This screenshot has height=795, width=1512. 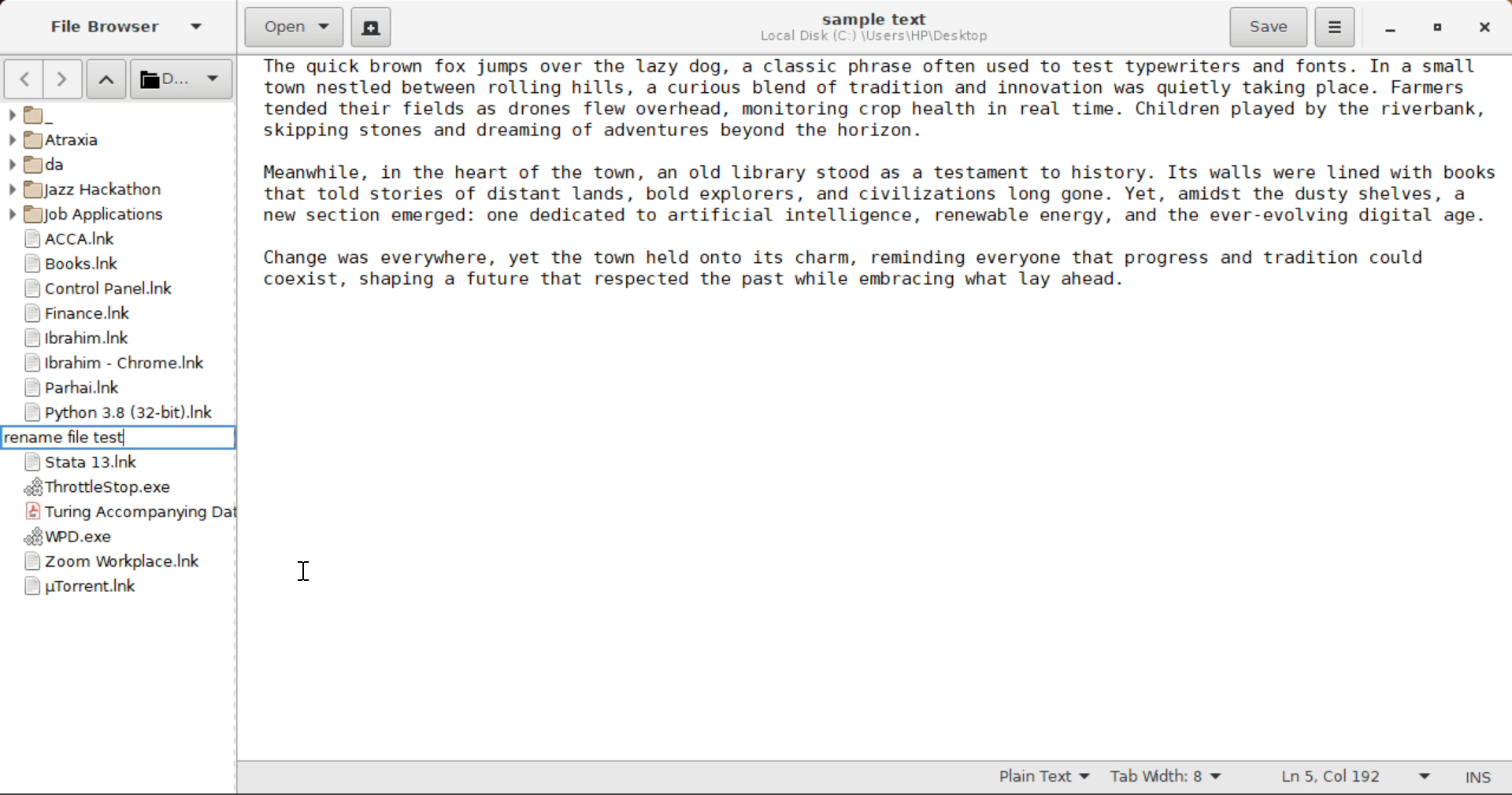 I want to click on Turing Accompanying Data File, so click(x=121, y=512).